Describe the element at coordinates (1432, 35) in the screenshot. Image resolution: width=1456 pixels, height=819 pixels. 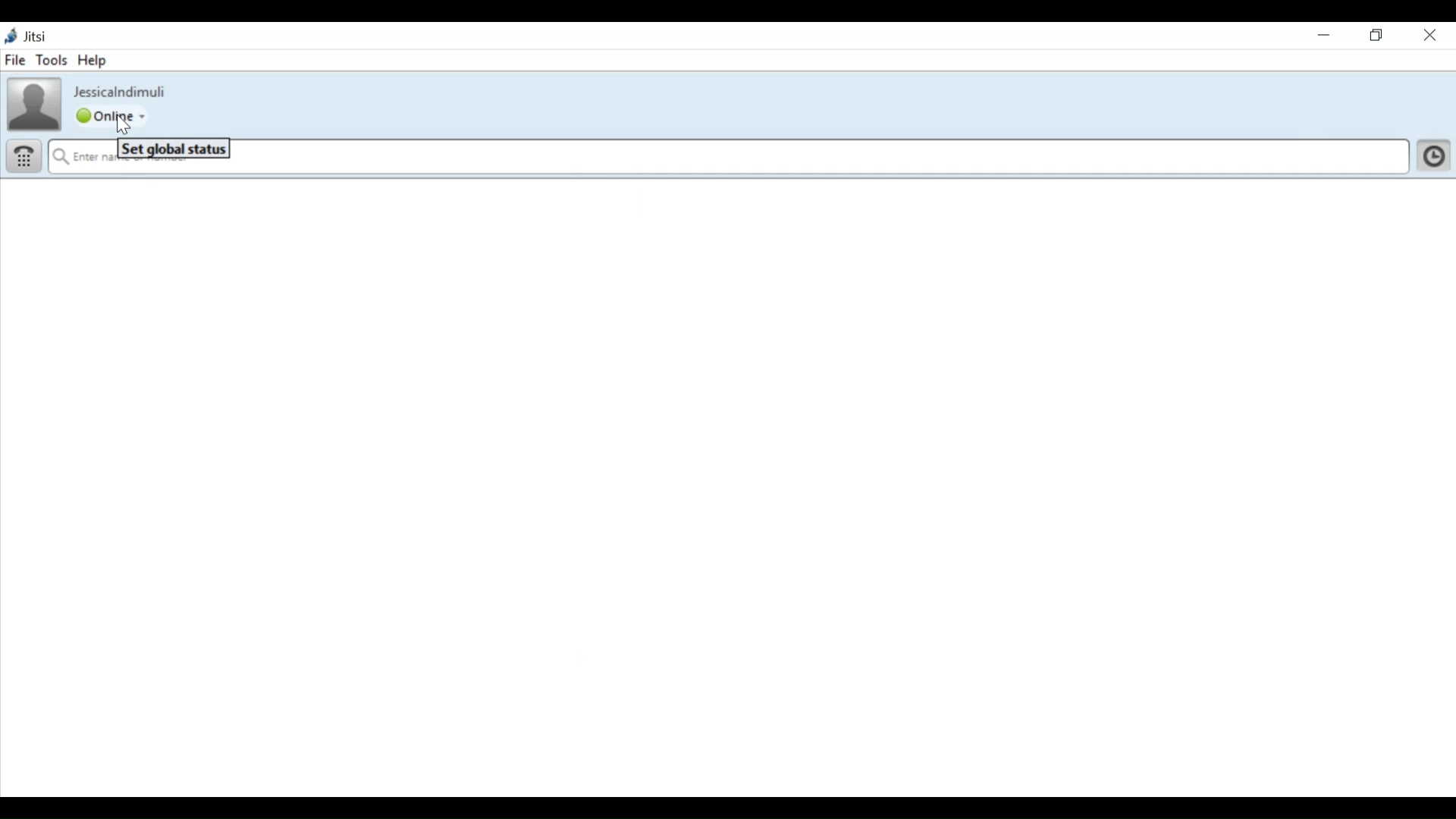
I see `Close` at that location.